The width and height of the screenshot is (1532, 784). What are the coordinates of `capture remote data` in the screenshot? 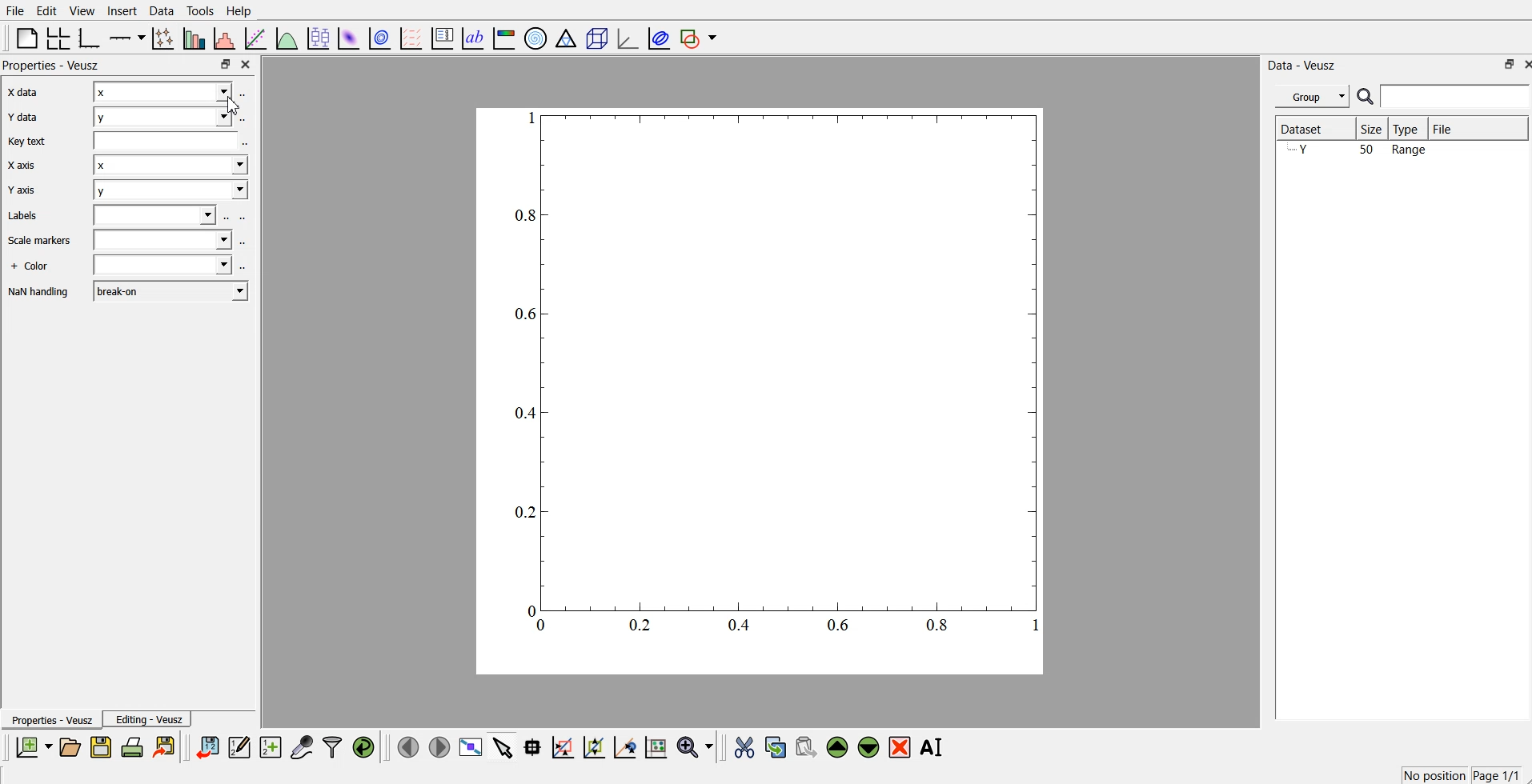 It's located at (301, 748).